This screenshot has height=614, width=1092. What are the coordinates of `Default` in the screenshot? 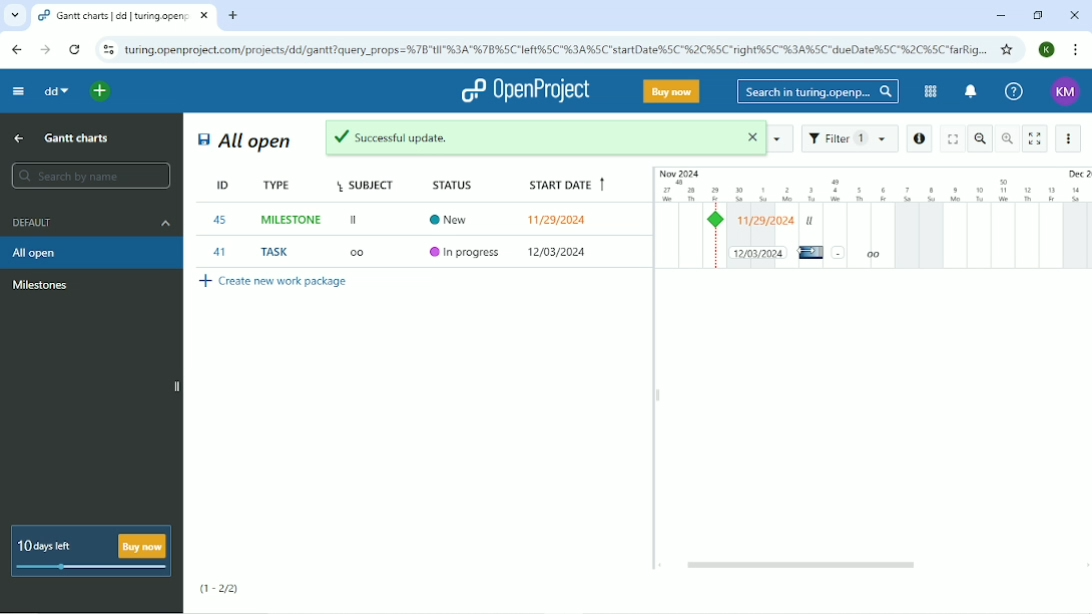 It's located at (89, 222).